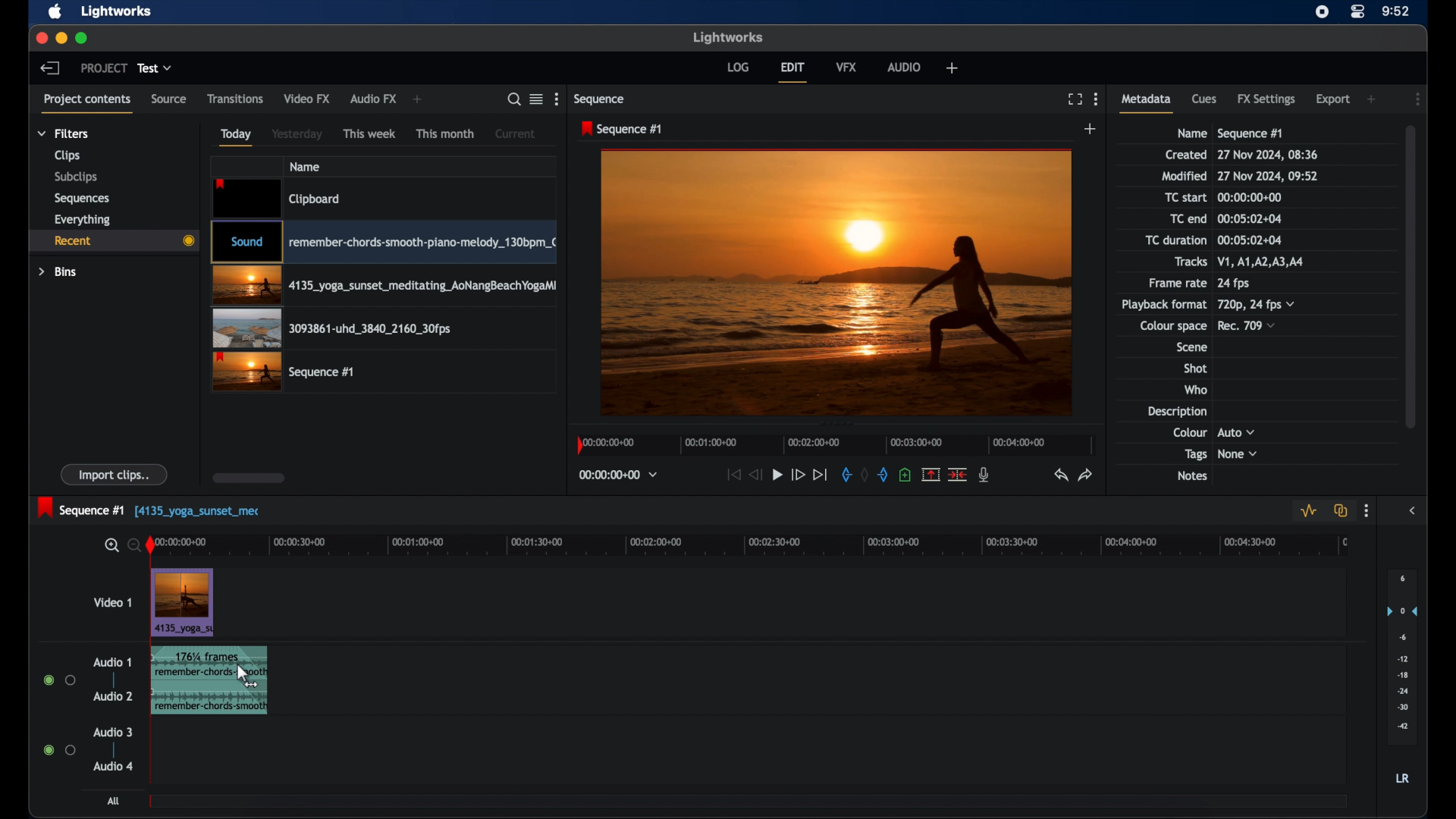 This screenshot has width=1456, height=819. I want to click on name, so click(1191, 133).